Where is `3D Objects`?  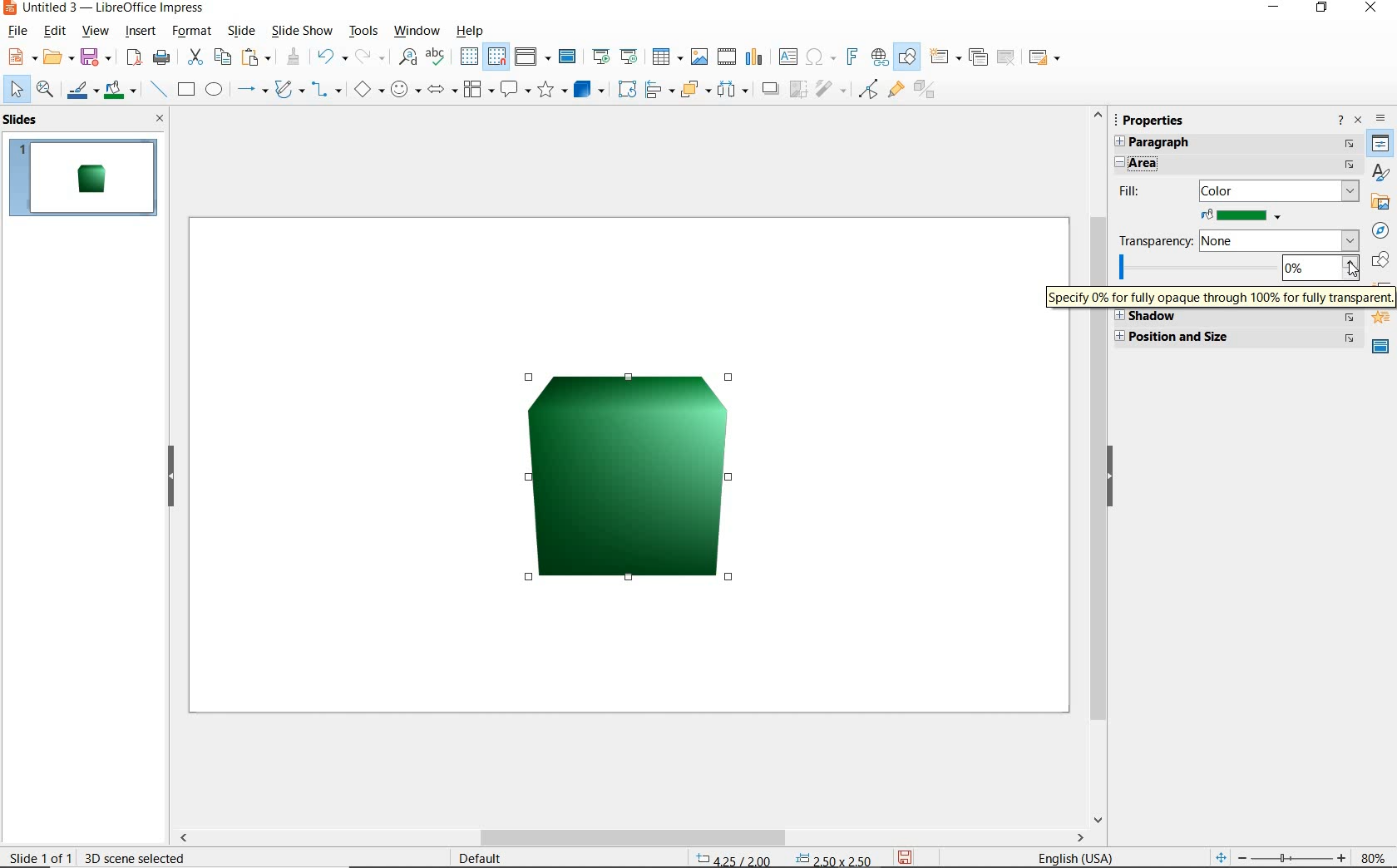 3D Objects is located at coordinates (590, 91).